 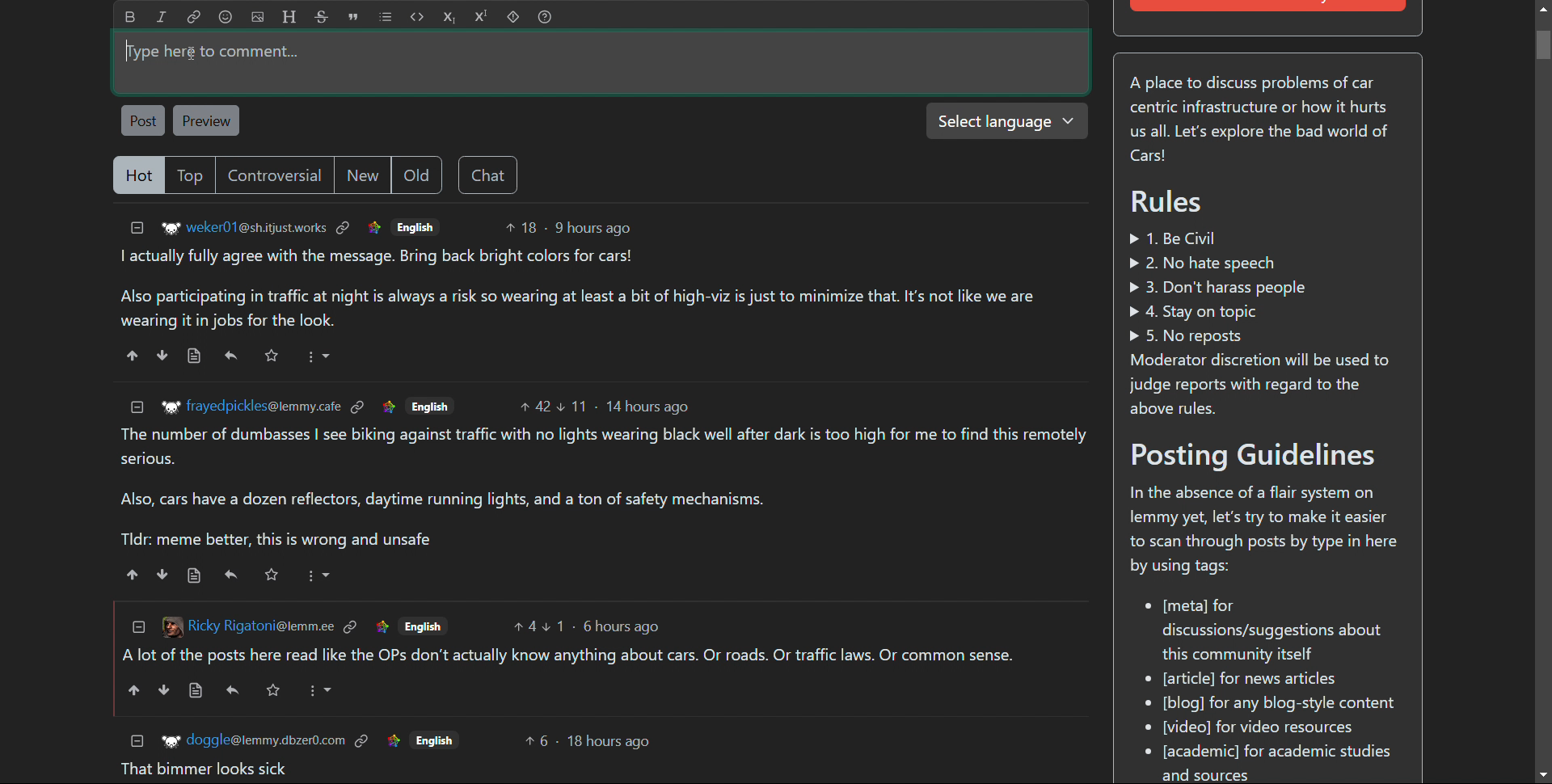 I want to click on old, so click(x=415, y=175).